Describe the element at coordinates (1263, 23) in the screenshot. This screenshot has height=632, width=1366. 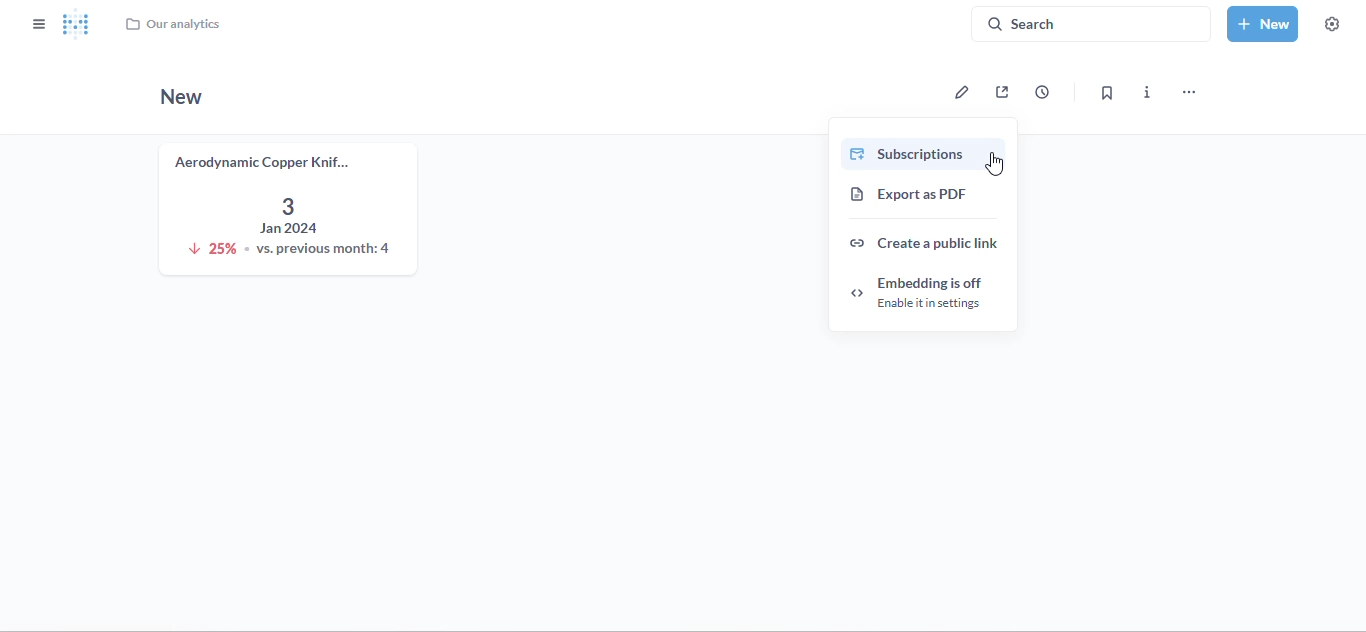
I see `new` at that location.